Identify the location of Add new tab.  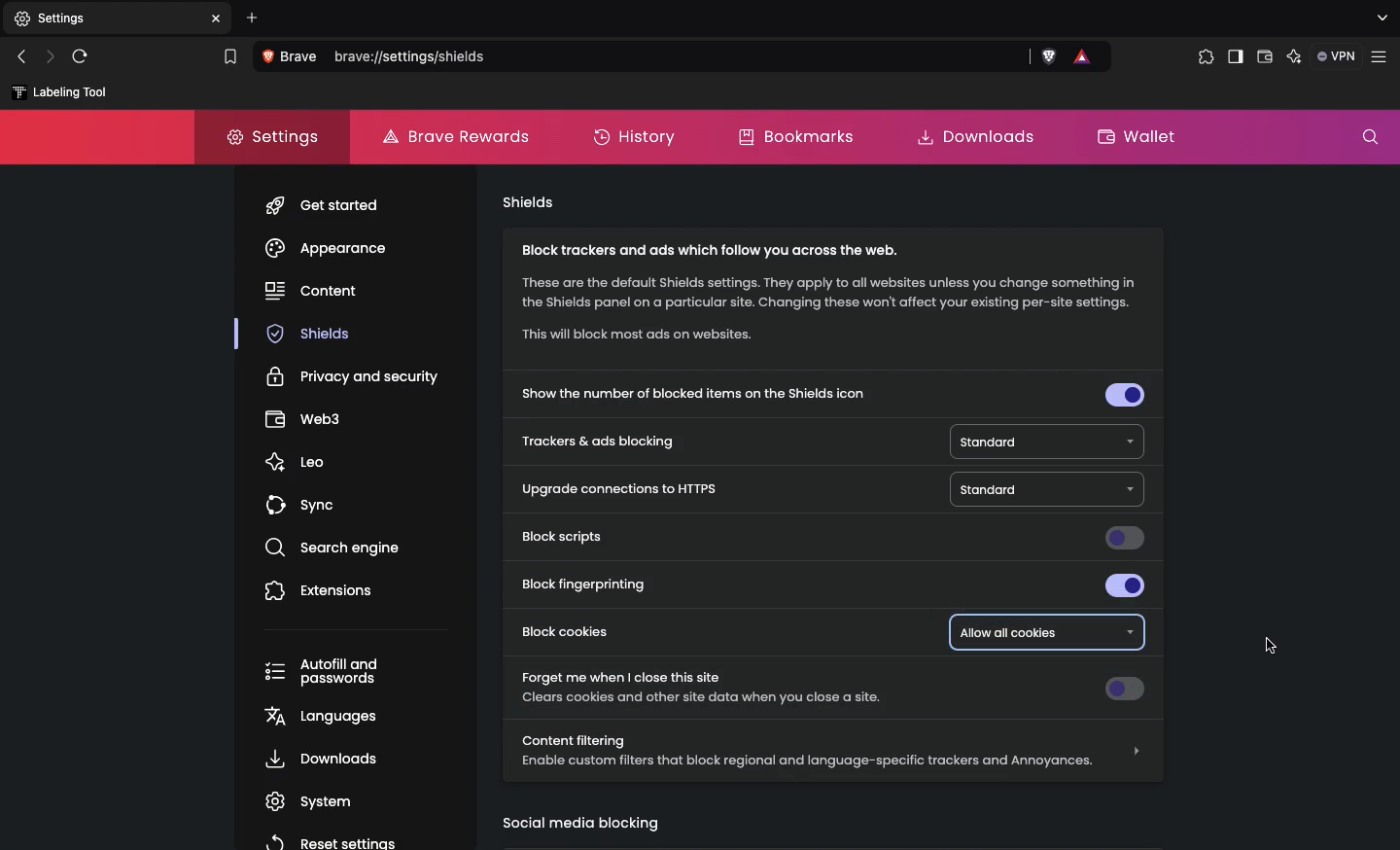
(251, 17).